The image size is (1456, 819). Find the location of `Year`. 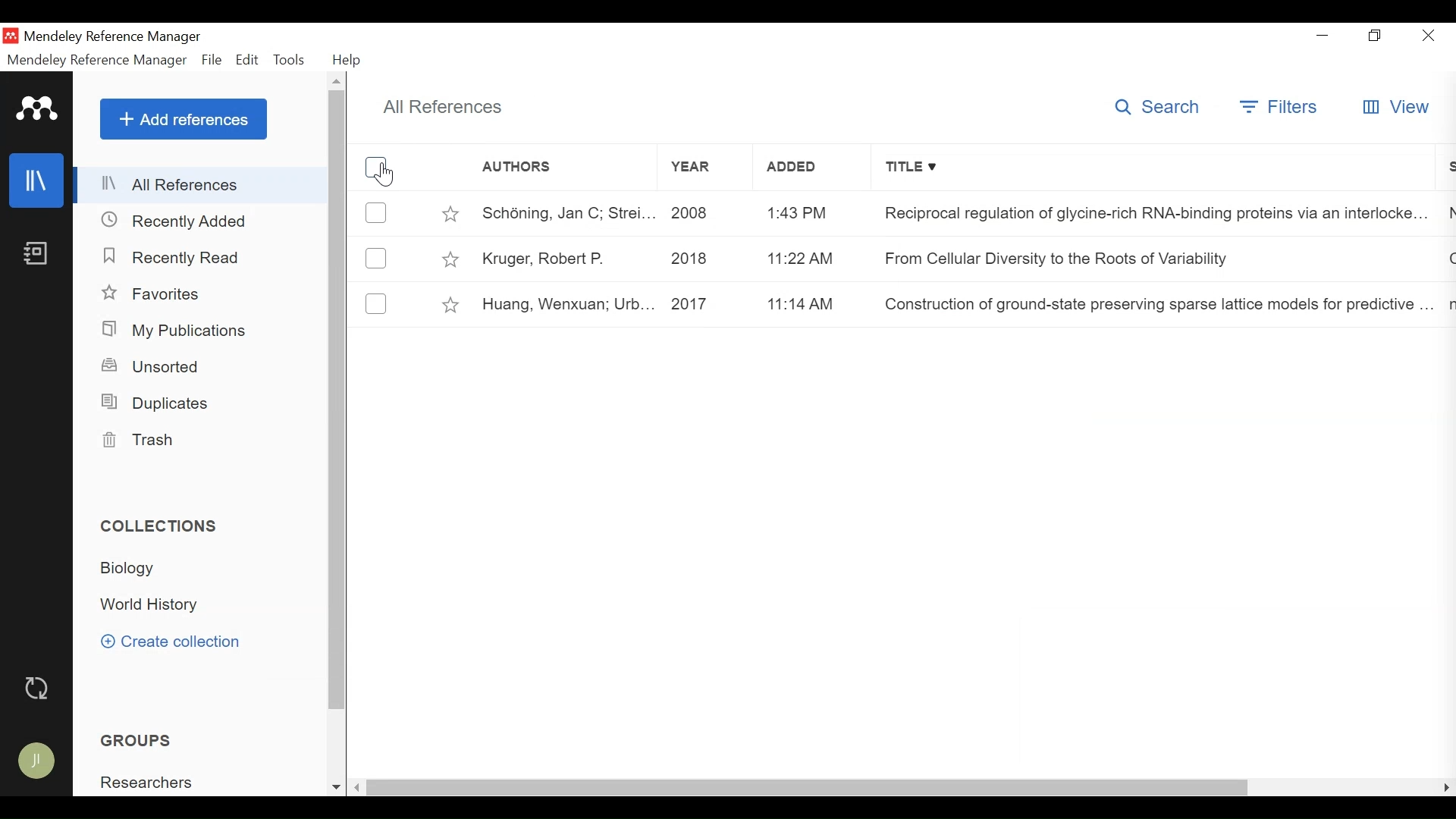

Year is located at coordinates (708, 170).